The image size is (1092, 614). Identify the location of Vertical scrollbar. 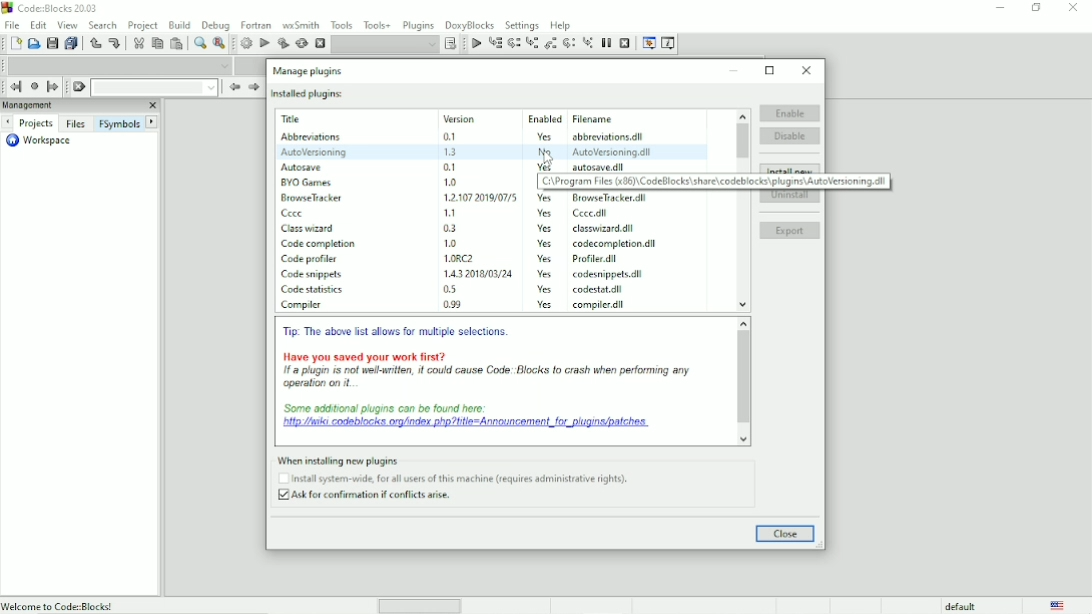
(743, 142).